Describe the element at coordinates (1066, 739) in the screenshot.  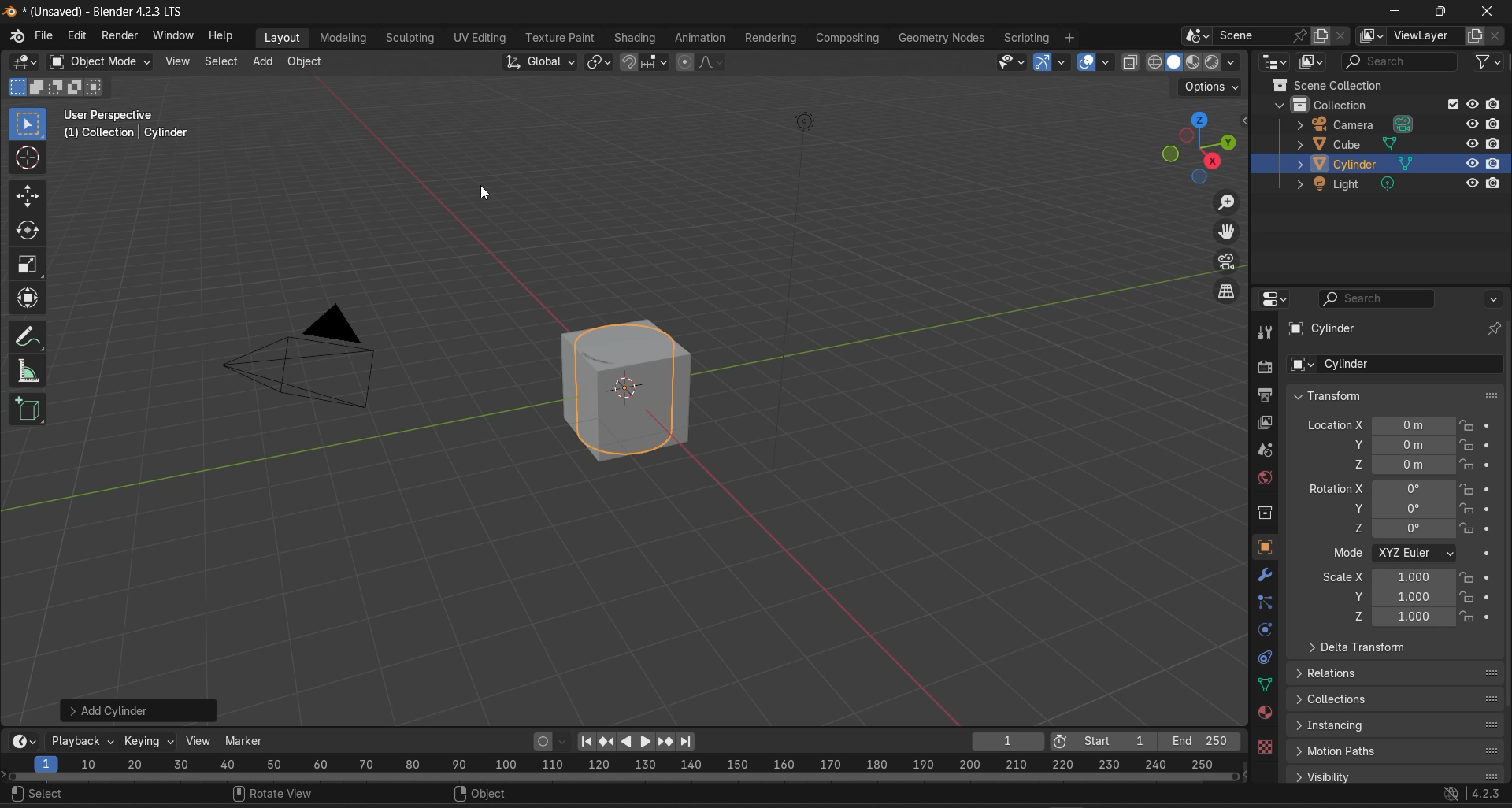
I see `use preview range` at that location.